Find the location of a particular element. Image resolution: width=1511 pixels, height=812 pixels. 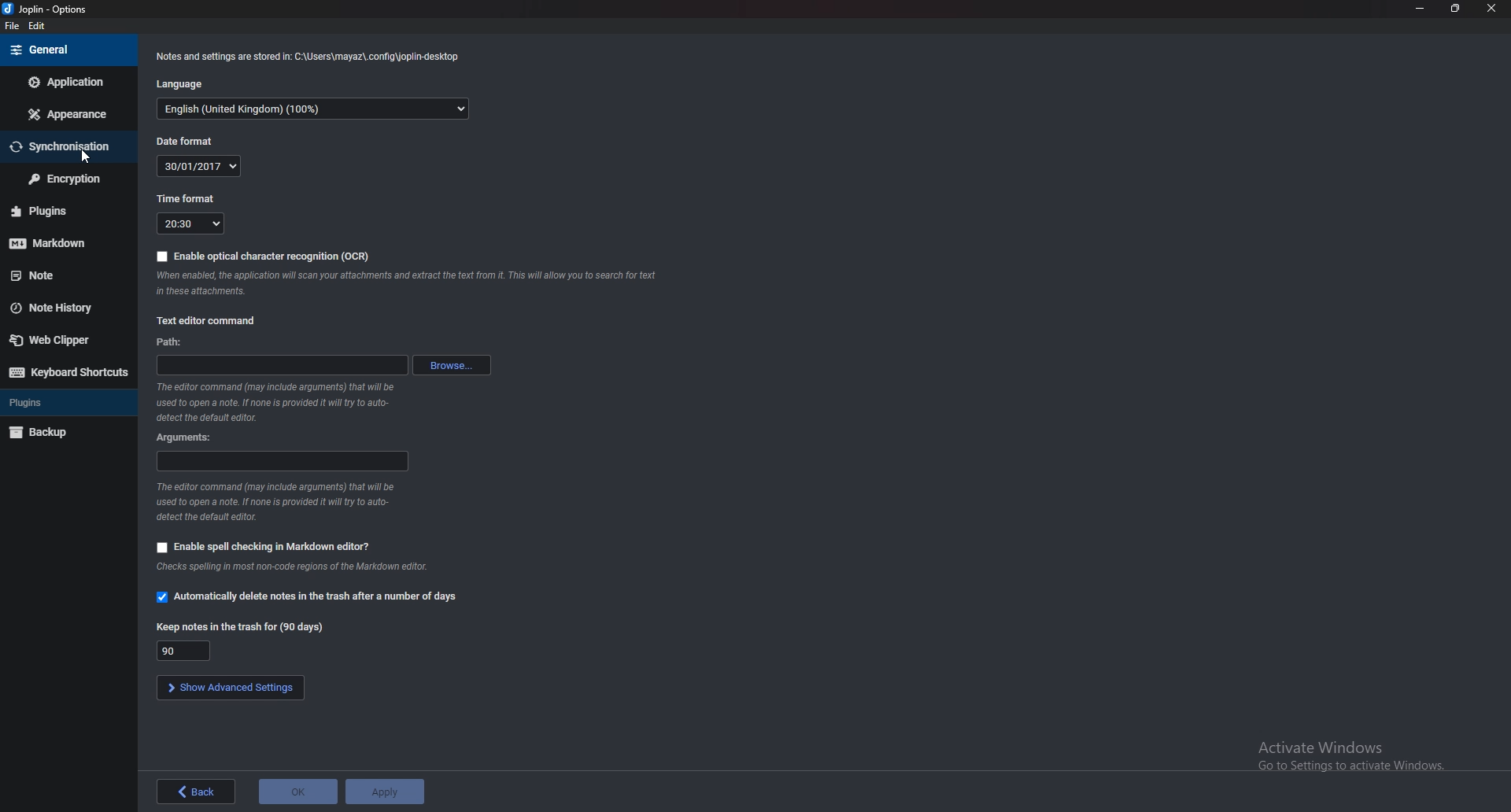

arguments input is located at coordinates (280, 462).